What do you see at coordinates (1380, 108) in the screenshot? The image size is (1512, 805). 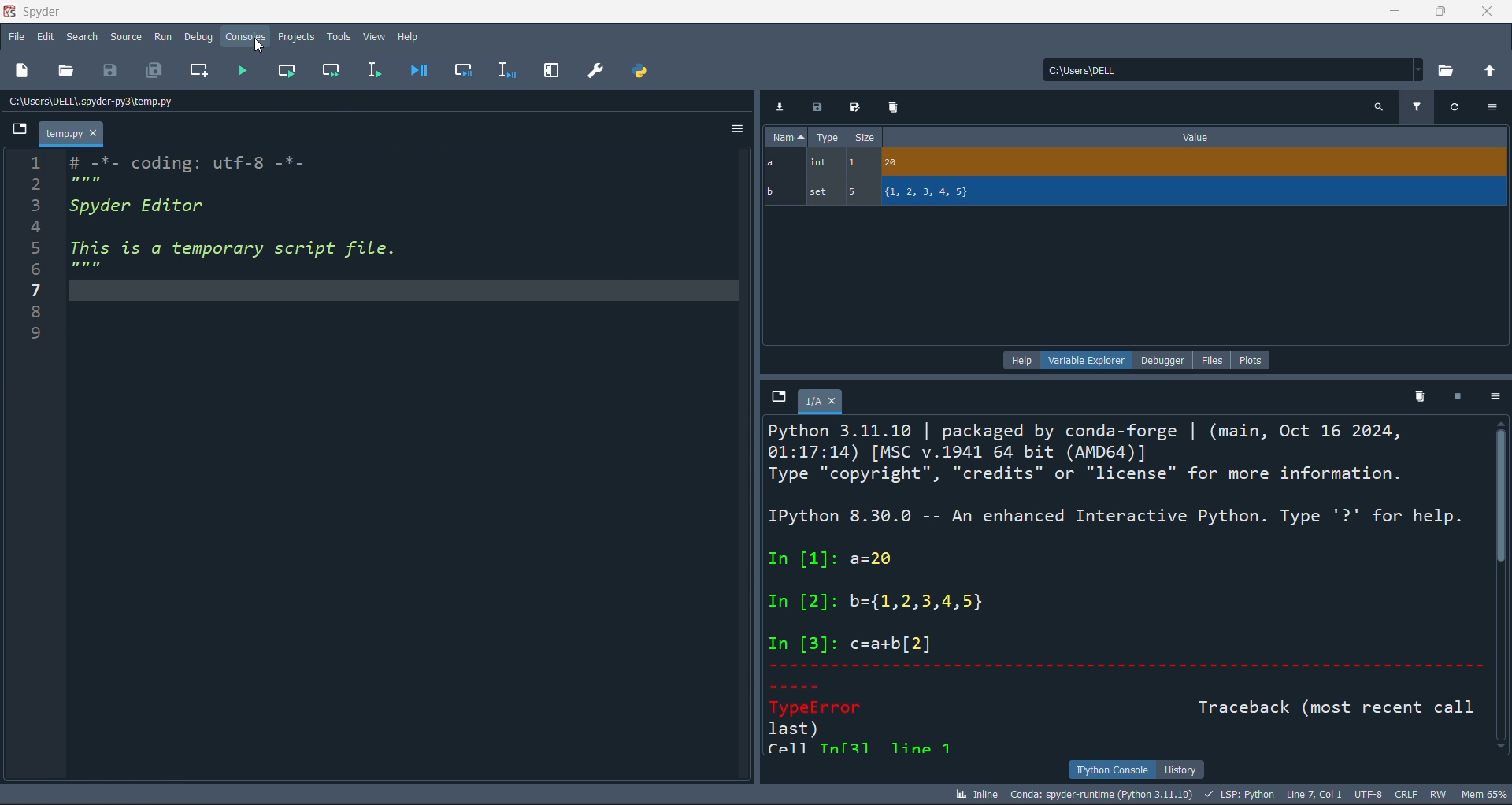 I see `search variables` at bounding box center [1380, 108].